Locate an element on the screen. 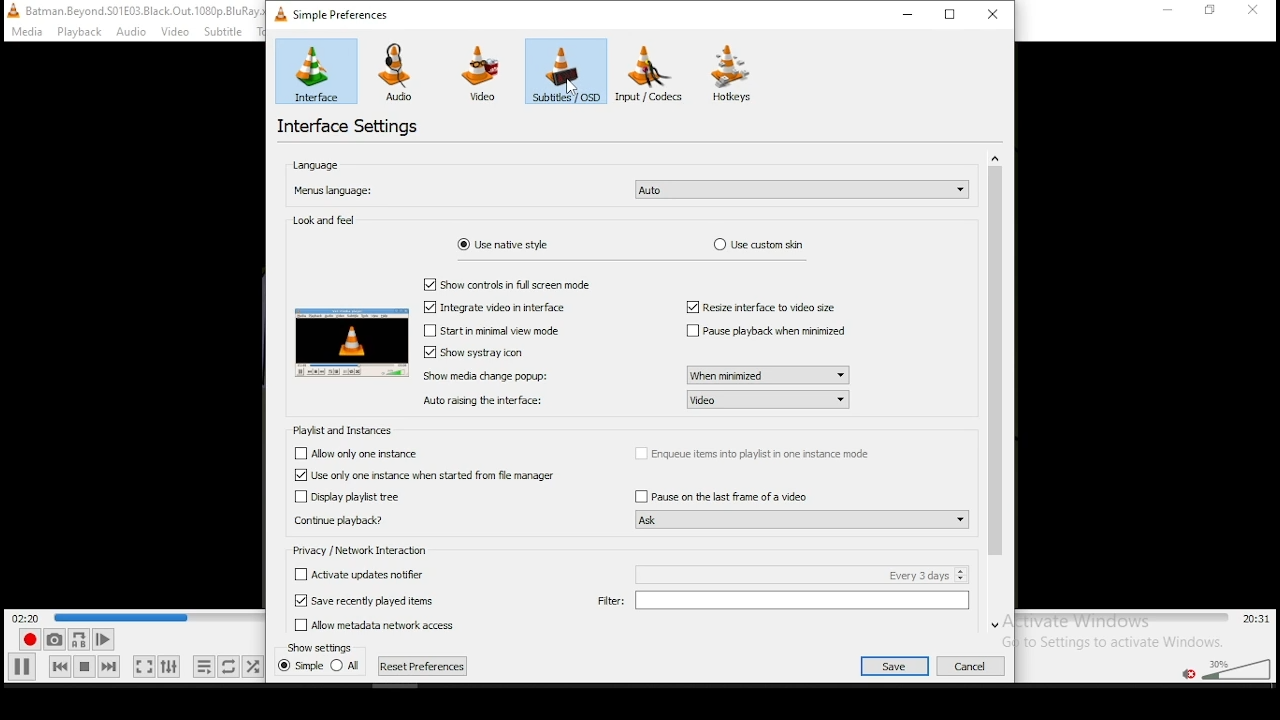  show media change popup: when minimized is located at coordinates (639, 375).